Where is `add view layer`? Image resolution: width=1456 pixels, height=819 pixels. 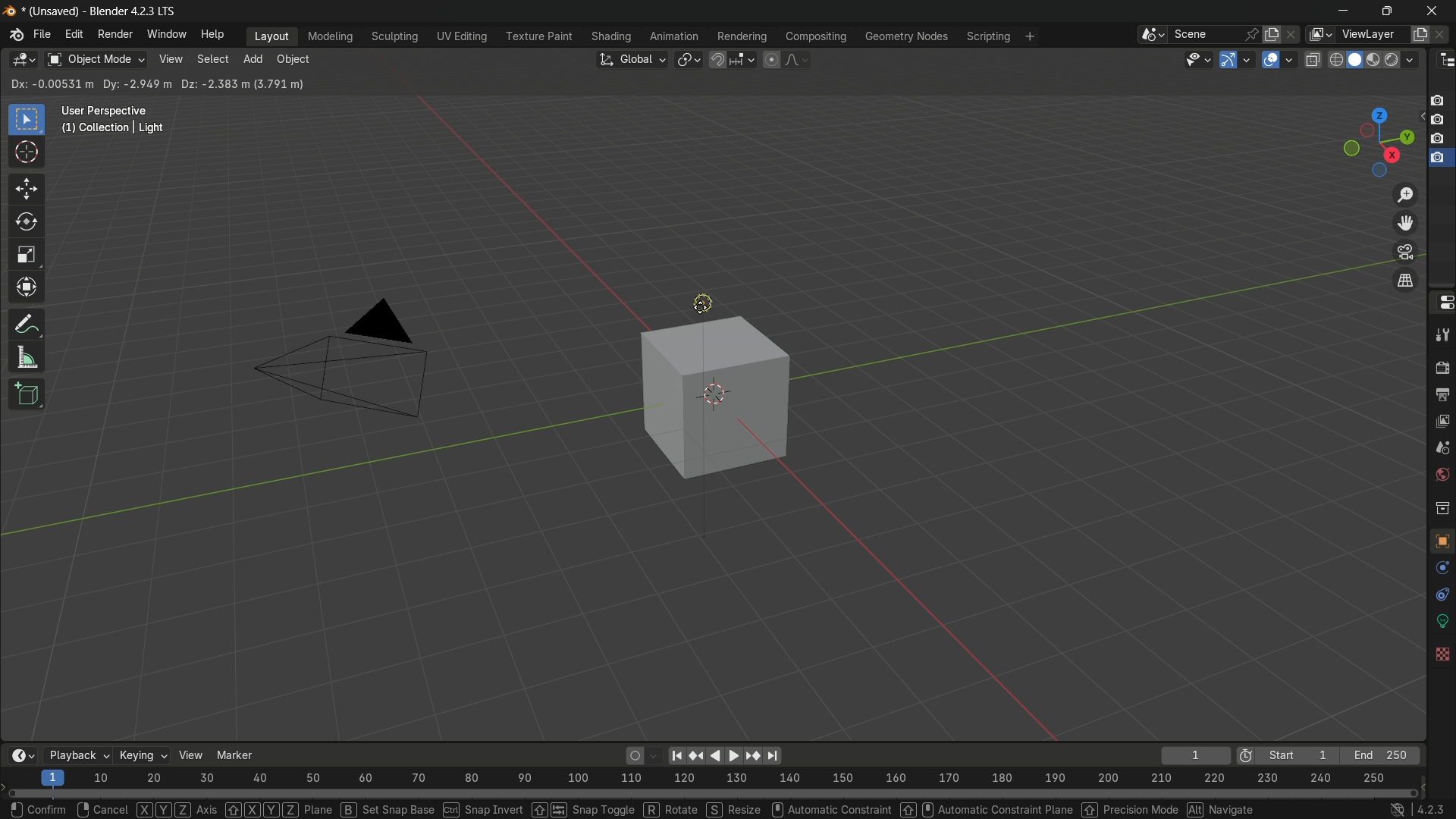
add view layer is located at coordinates (1420, 34).